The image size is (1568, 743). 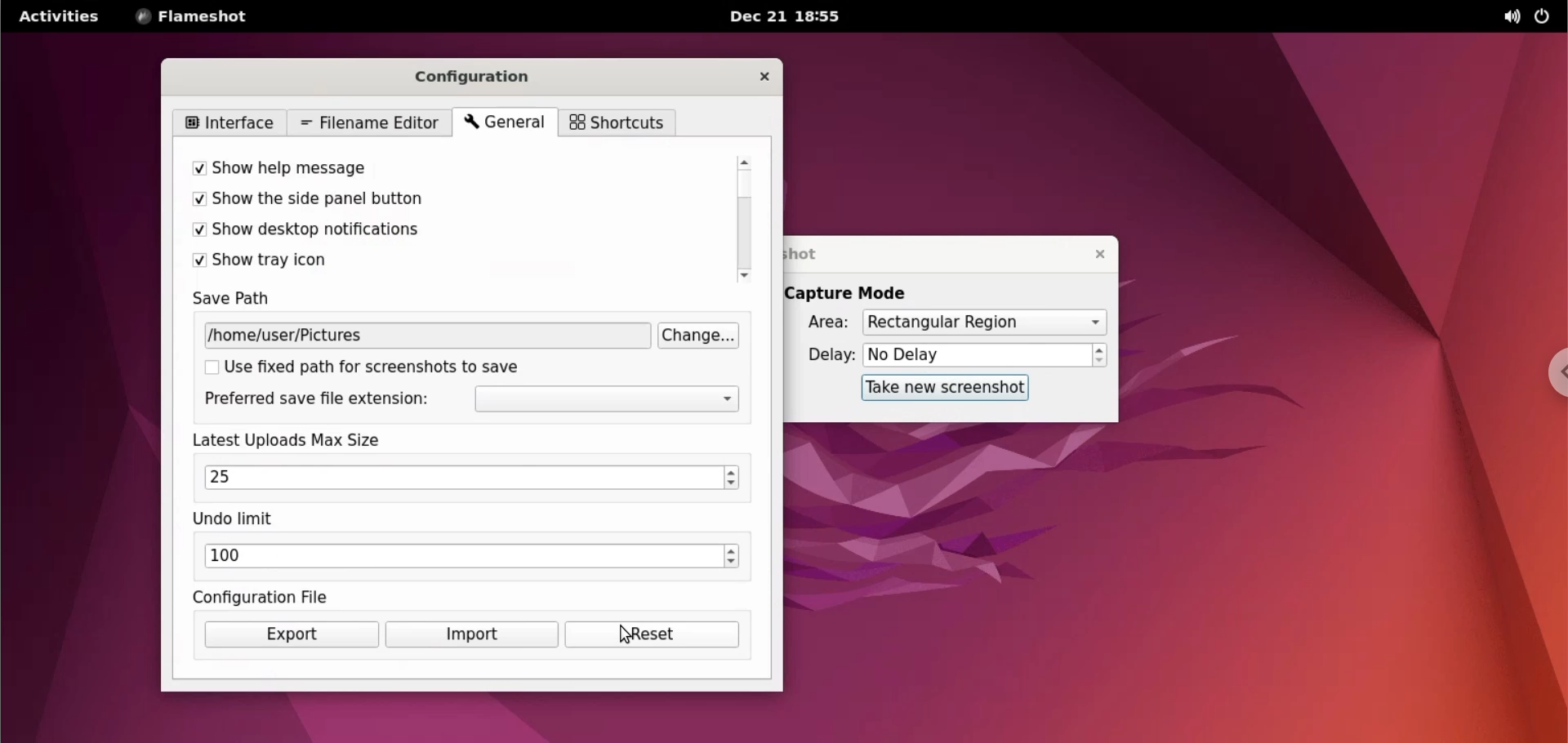 I want to click on sound options, so click(x=1508, y=17).